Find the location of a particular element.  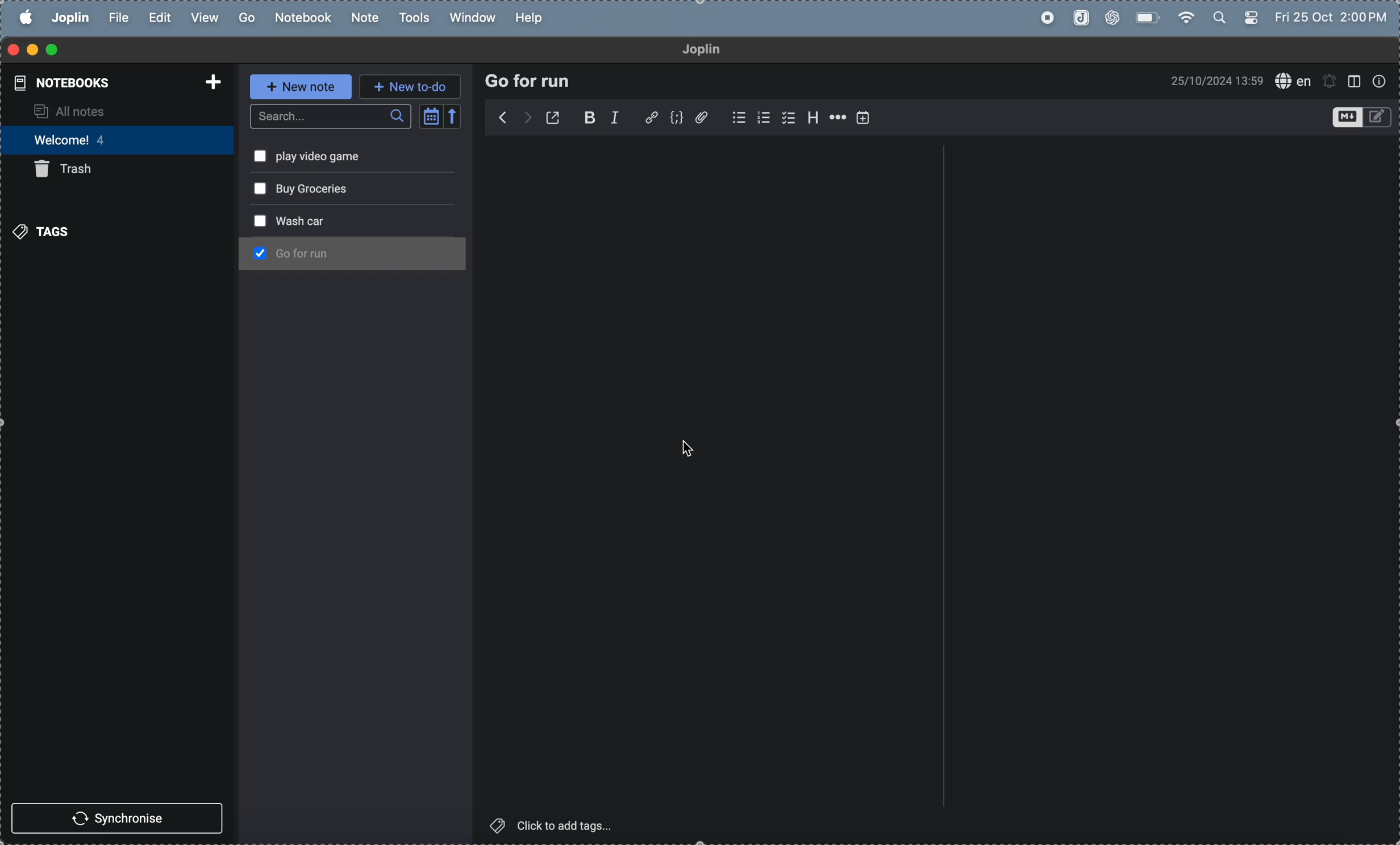

tools is located at coordinates (414, 18).